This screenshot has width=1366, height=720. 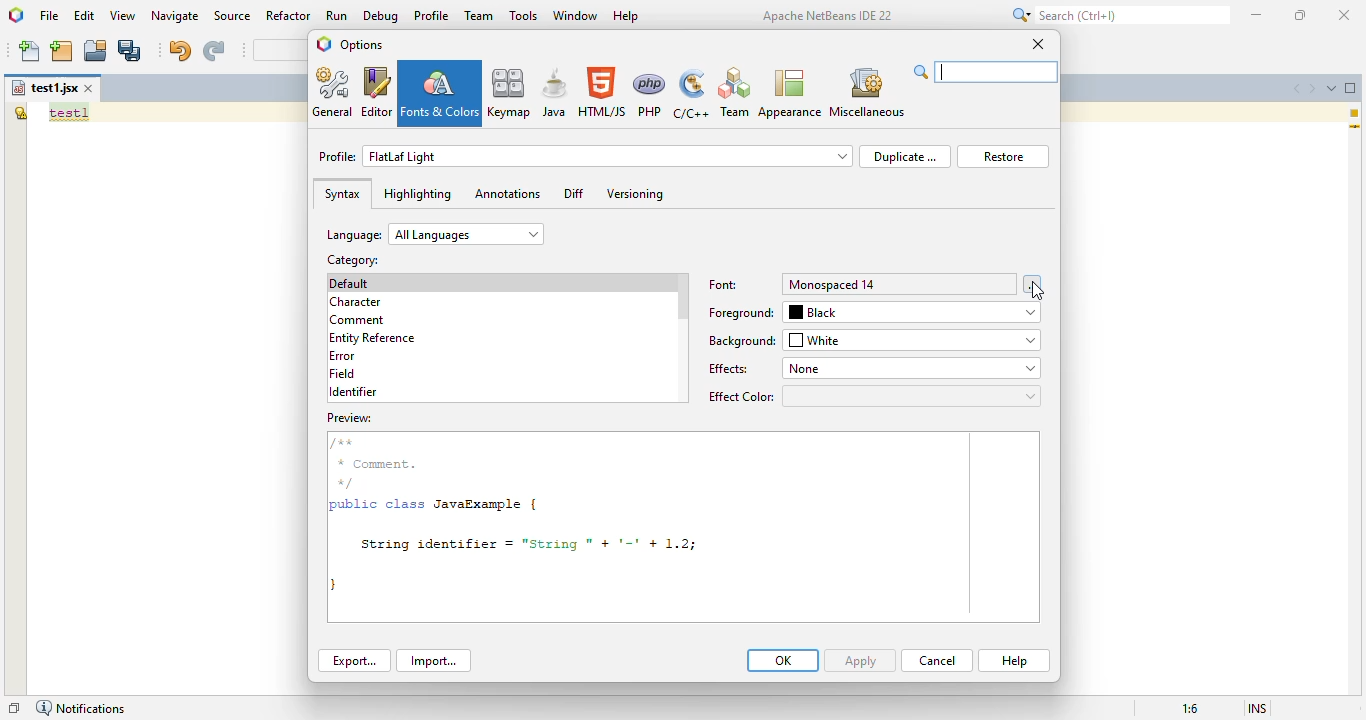 I want to click on close window, so click(x=90, y=88).